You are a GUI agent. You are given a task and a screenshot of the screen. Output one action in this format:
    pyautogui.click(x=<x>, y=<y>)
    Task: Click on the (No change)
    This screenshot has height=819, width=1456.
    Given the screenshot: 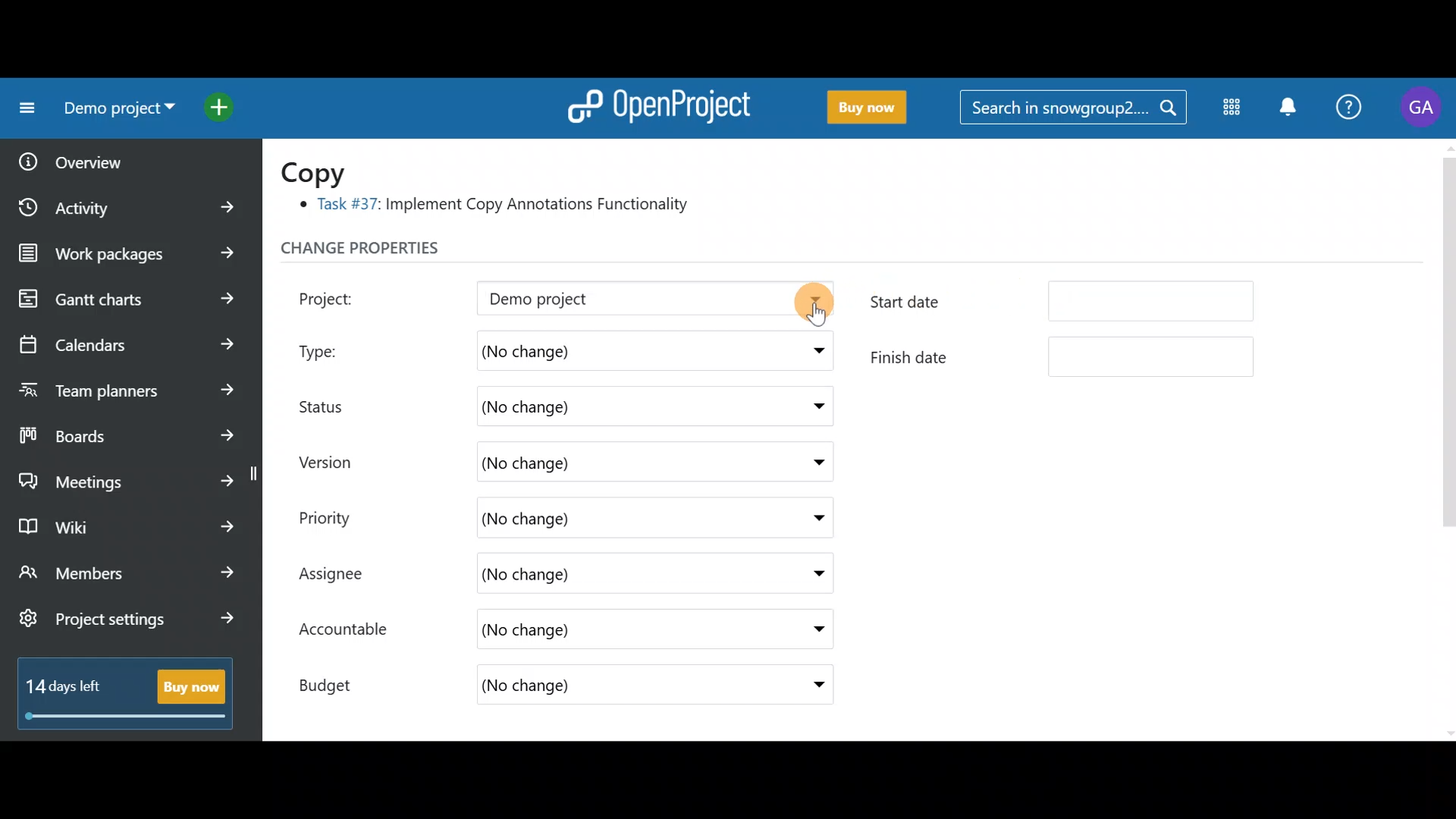 What is the action you would take?
    pyautogui.click(x=604, y=687)
    